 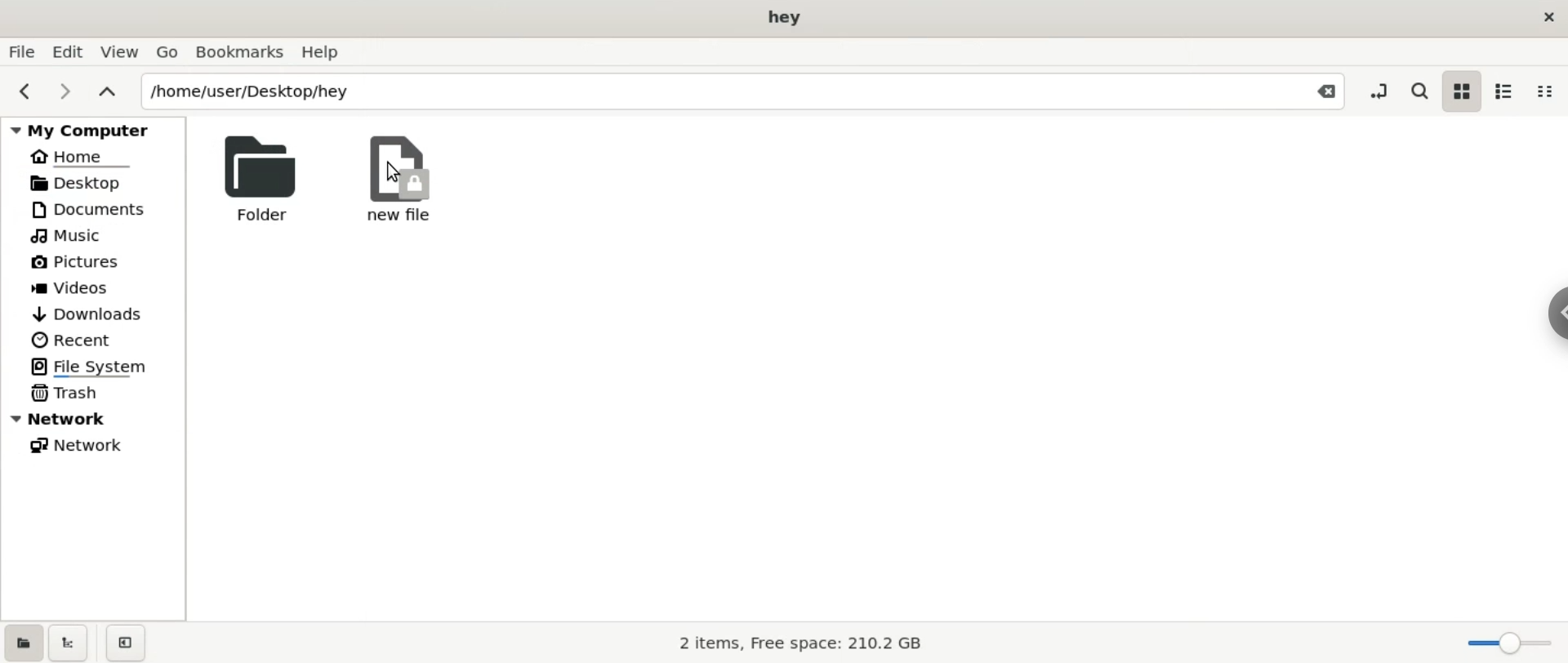 I want to click on Help, so click(x=327, y=52).